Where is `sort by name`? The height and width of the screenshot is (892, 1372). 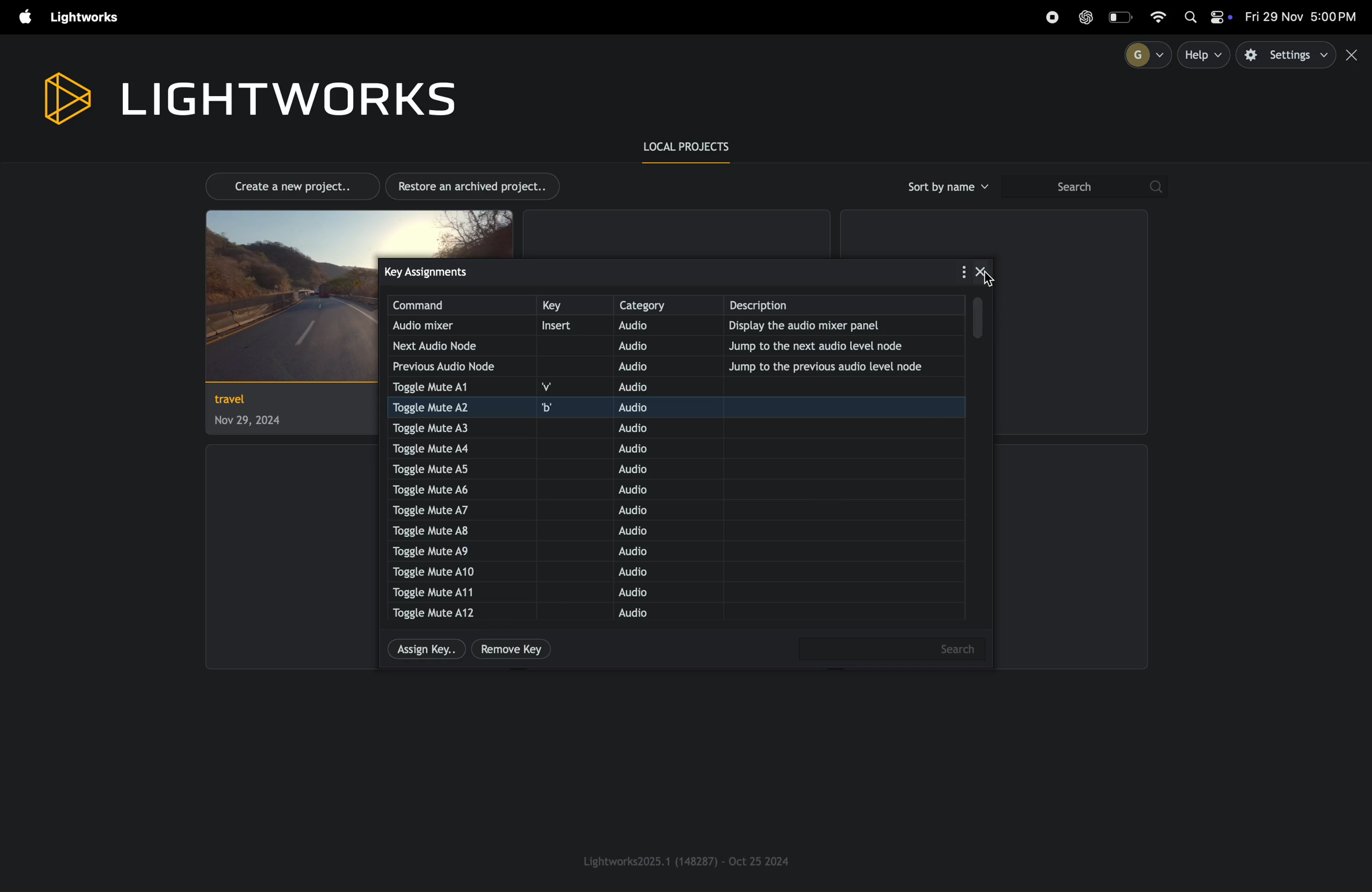 sort by name is located at coordinates (946, 187).